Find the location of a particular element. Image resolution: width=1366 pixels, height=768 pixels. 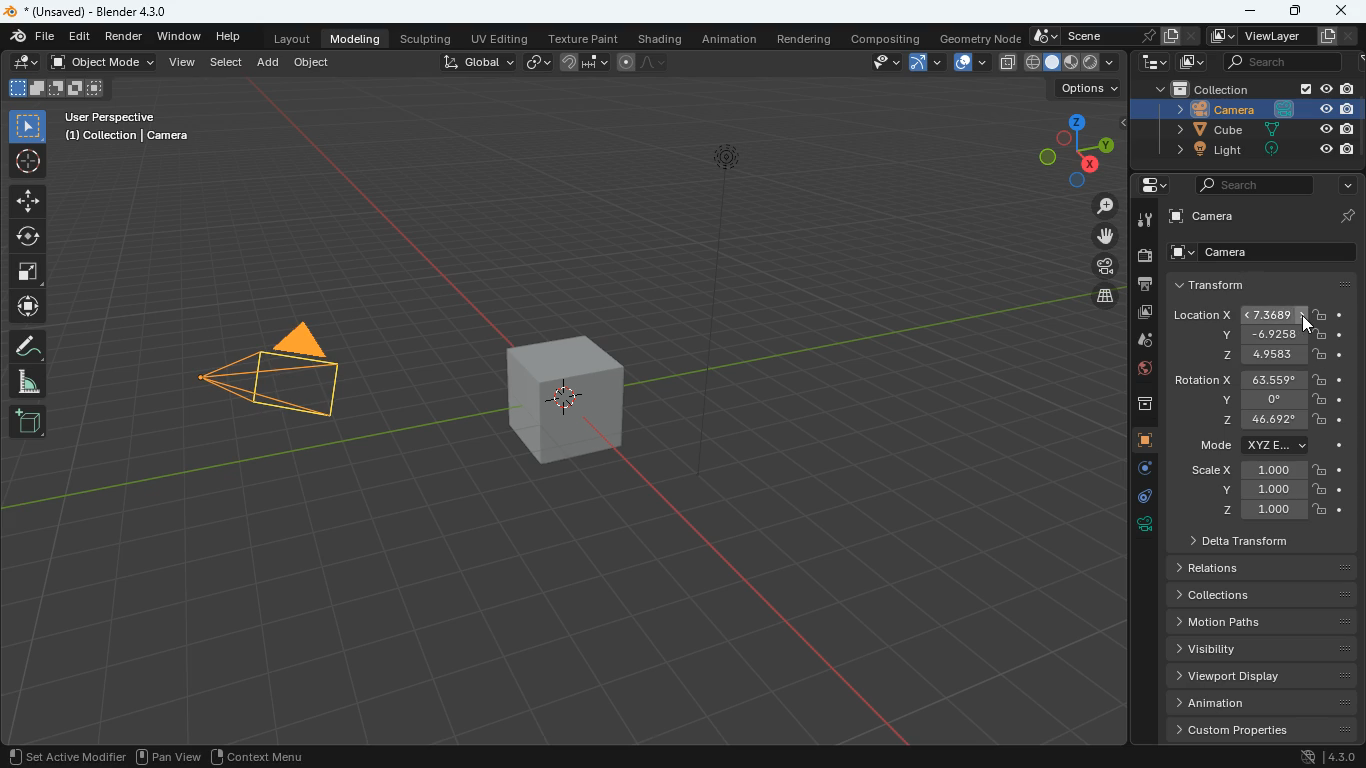

link is located at coordinates (535, 62).